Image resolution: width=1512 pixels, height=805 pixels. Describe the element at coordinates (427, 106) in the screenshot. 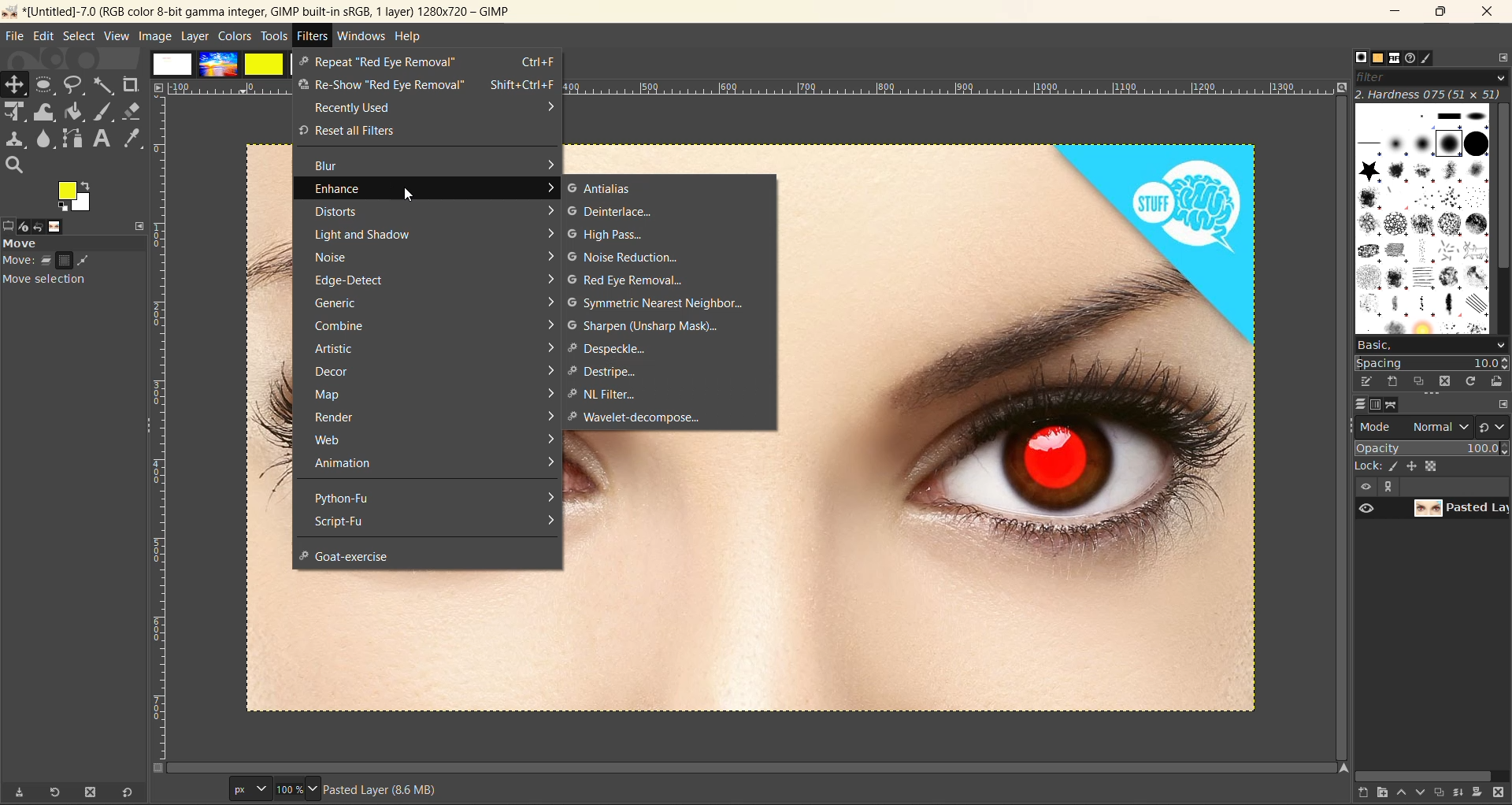

I see `recently used` at that location.